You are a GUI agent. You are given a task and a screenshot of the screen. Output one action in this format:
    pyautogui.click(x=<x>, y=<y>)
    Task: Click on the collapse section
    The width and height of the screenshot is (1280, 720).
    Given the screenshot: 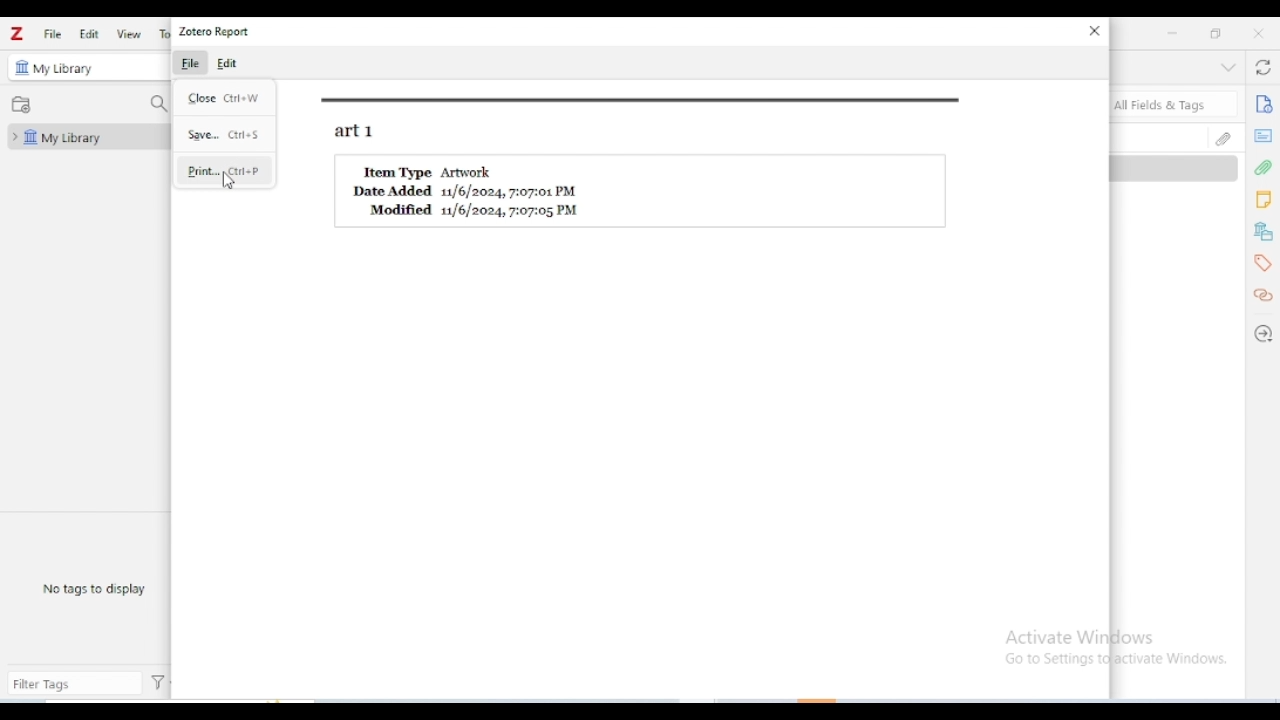 What is the action you would take?
    pyautogui.click(x=1228, y=67)
    